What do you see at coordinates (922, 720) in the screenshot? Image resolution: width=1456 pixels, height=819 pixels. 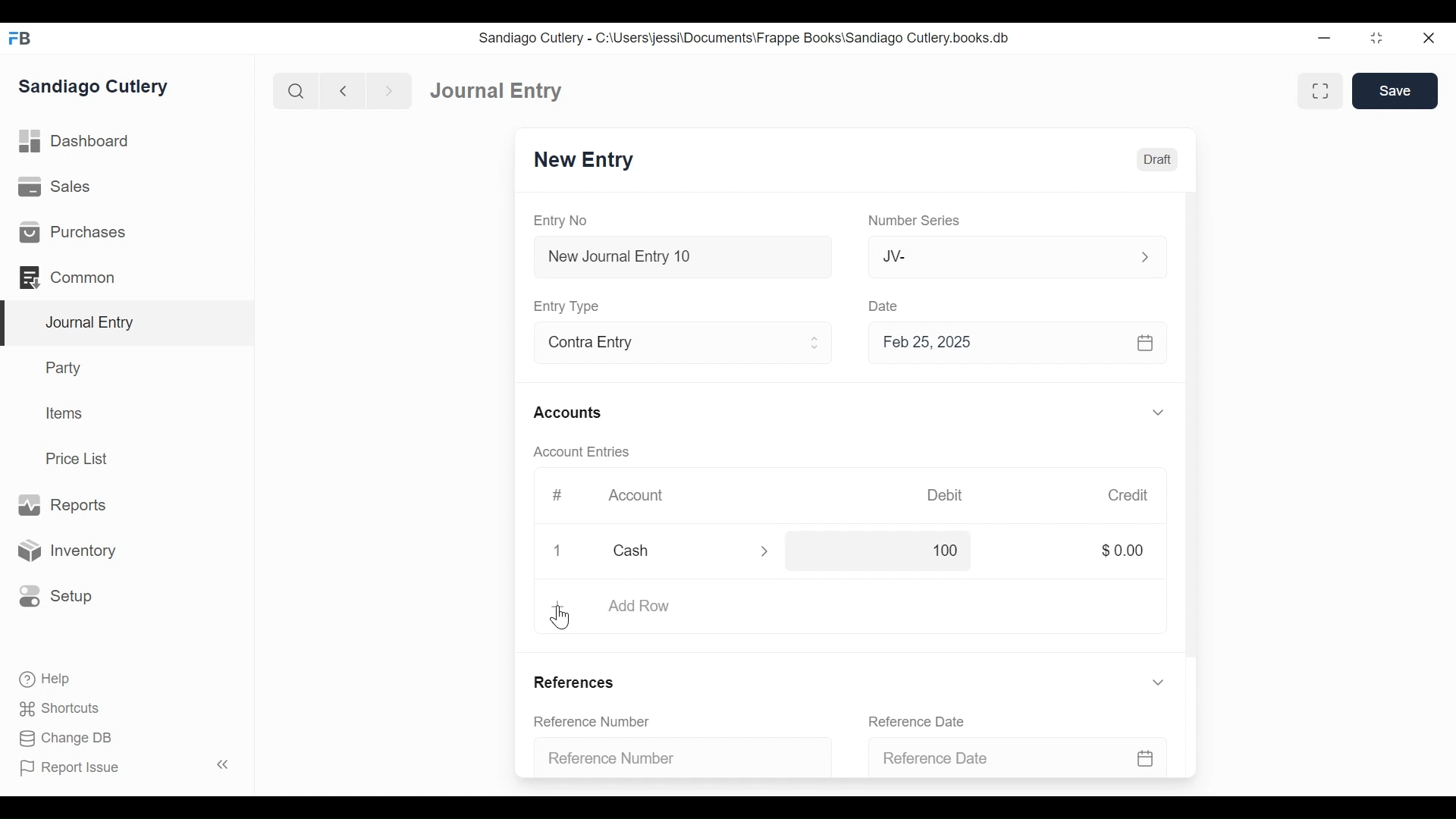 I see `Reference Date` at bounding box center [922, 720].